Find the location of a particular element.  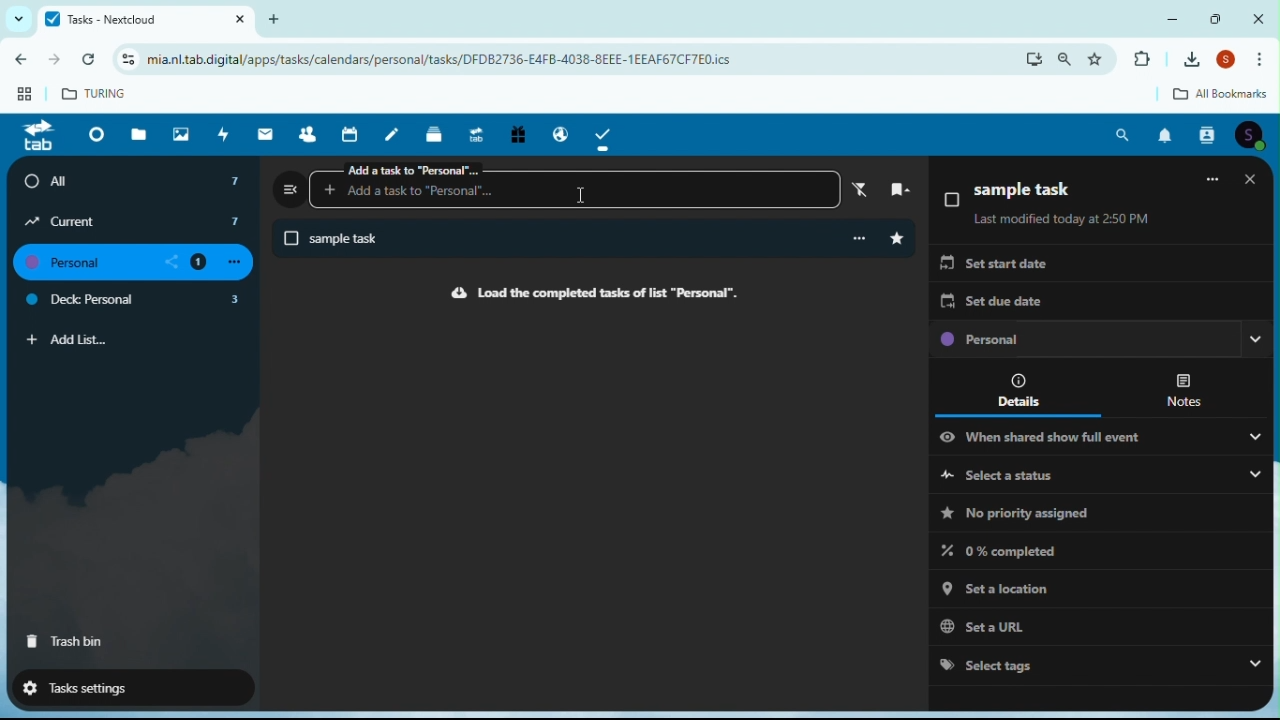

Account icon is located at coordinates (1254, 135).